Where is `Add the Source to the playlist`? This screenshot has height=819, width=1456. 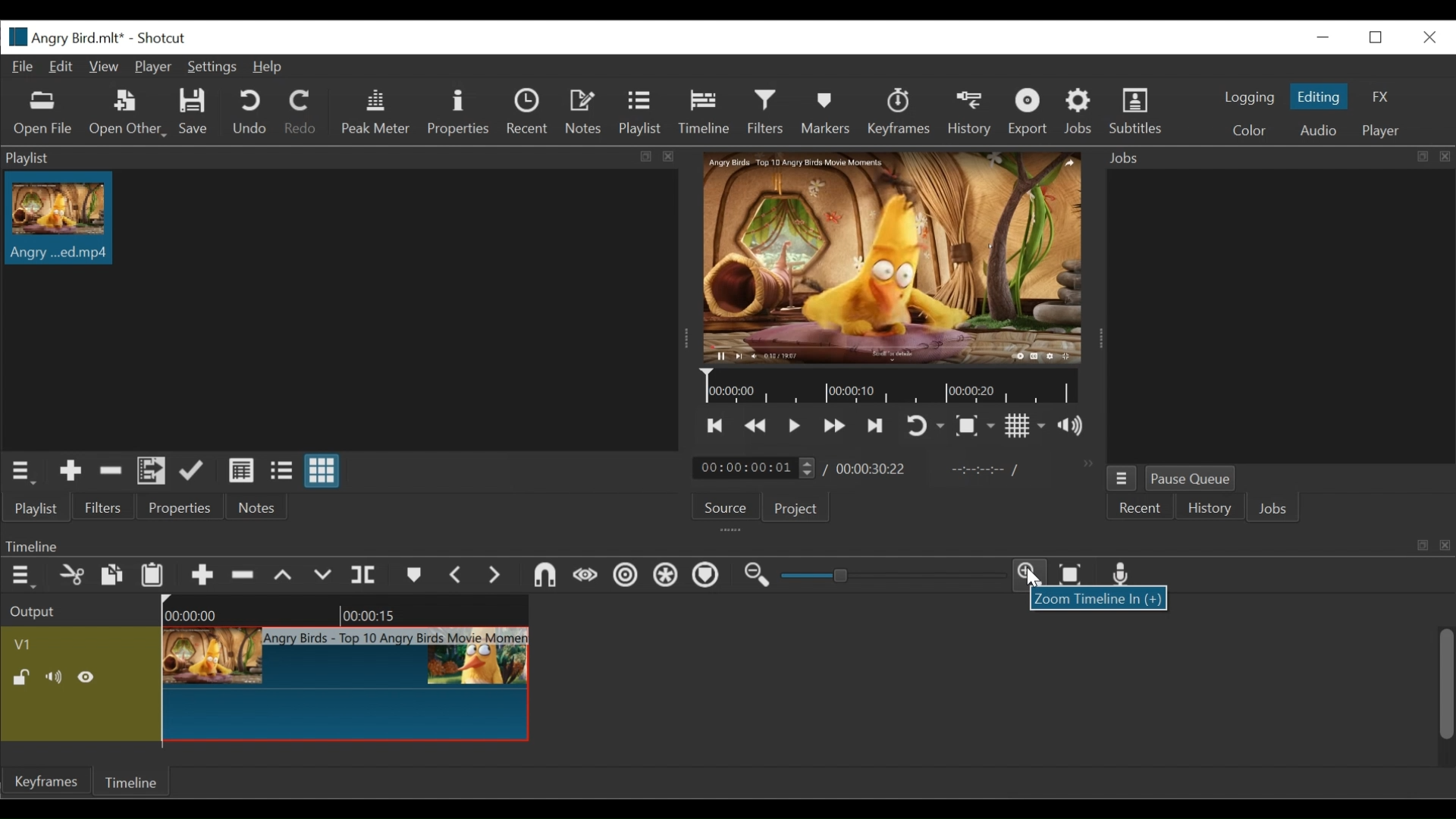
Add the Source to the playlist is located at coordinates (71, 472).